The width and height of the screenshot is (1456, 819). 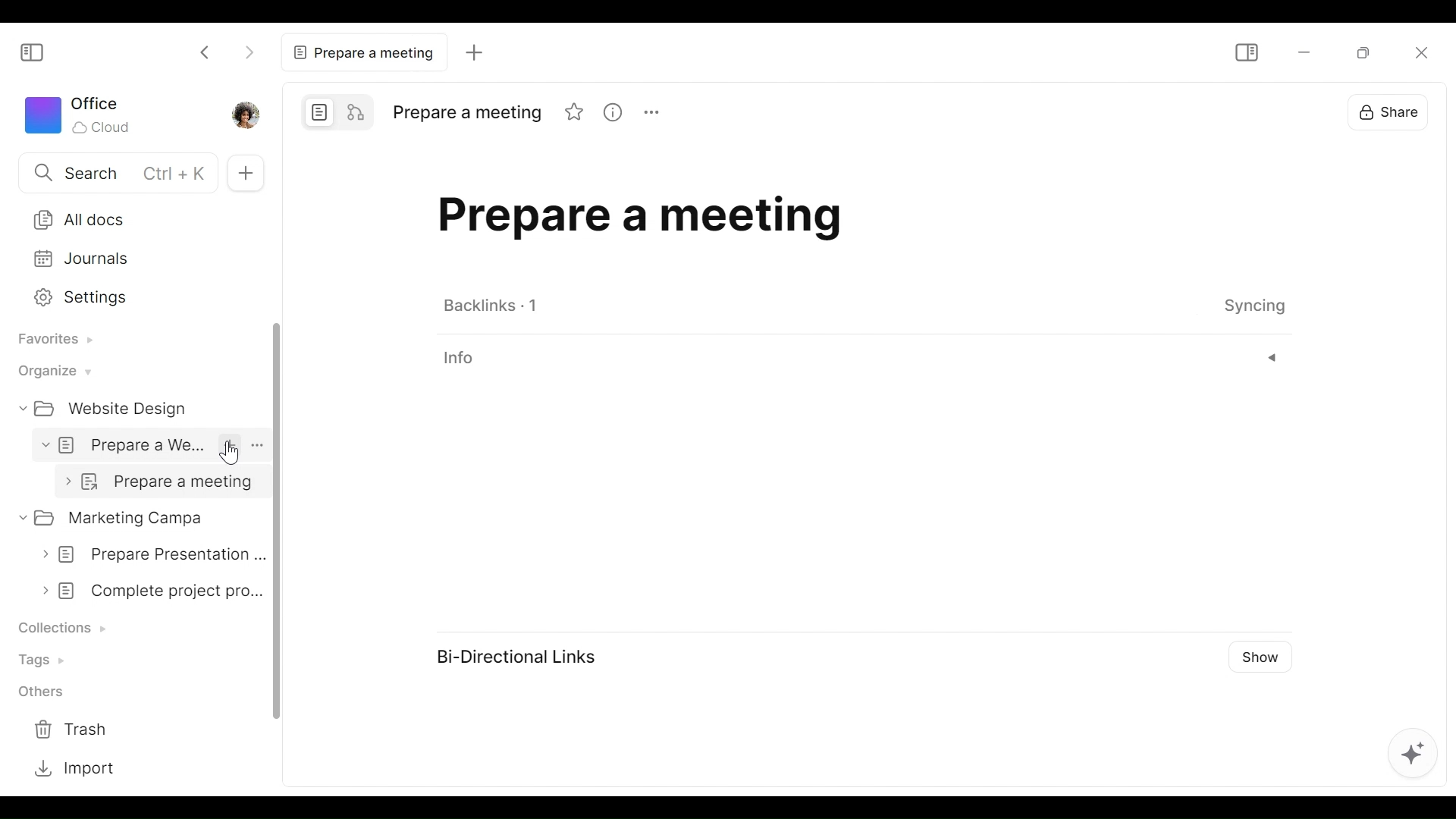 What do you see at coordinates (750, 222) in the screenshot?
I see `Title` at bounding box center [750, 222].